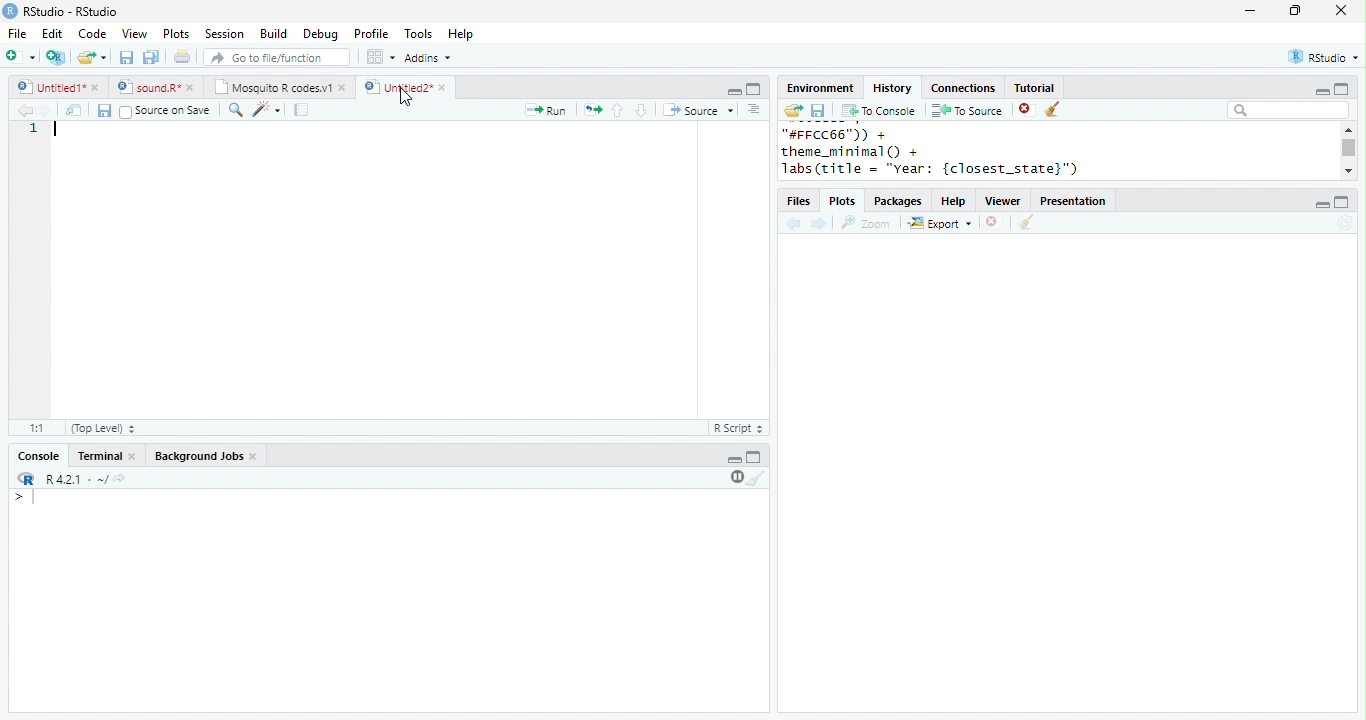 This screenshot has height=720, width=1366. I want to click on Code, so click(93, 33).